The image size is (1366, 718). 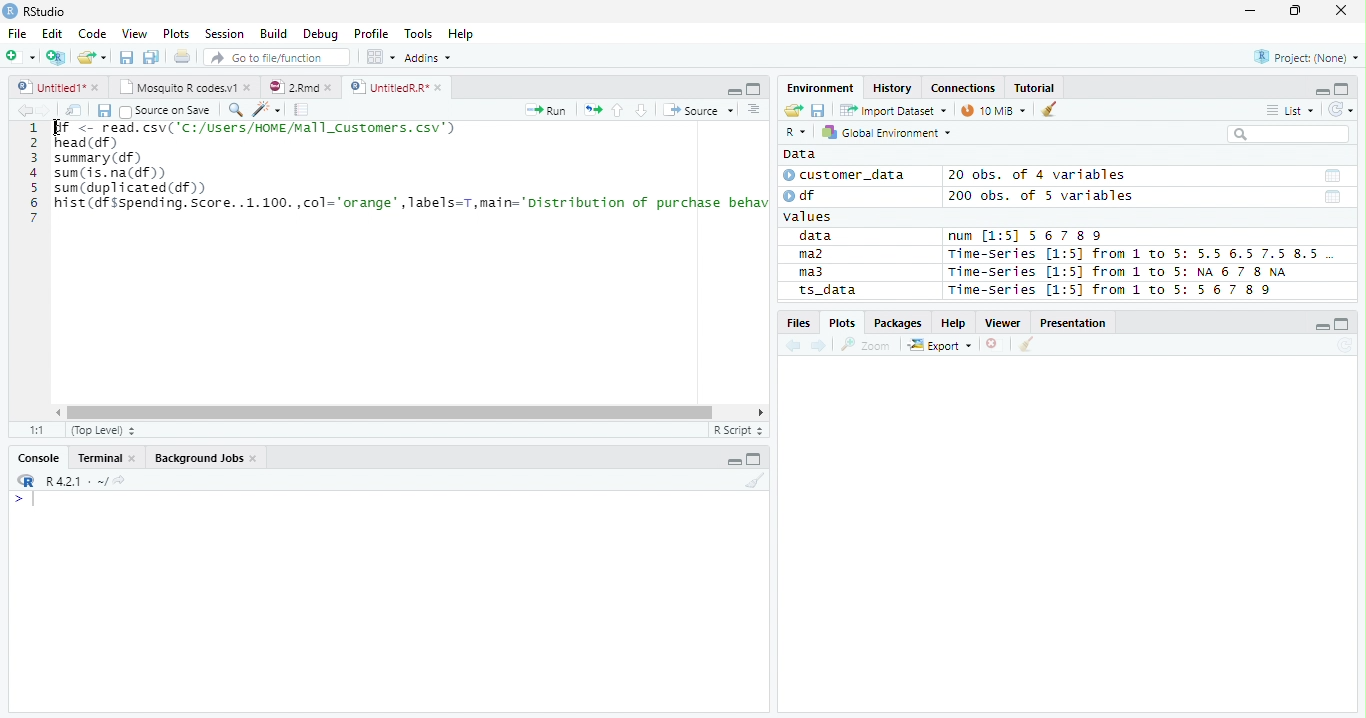 What do you see at coordinates (848, 175) in the screenshot?
I see `customer_data` at bounding box center [848, 175].